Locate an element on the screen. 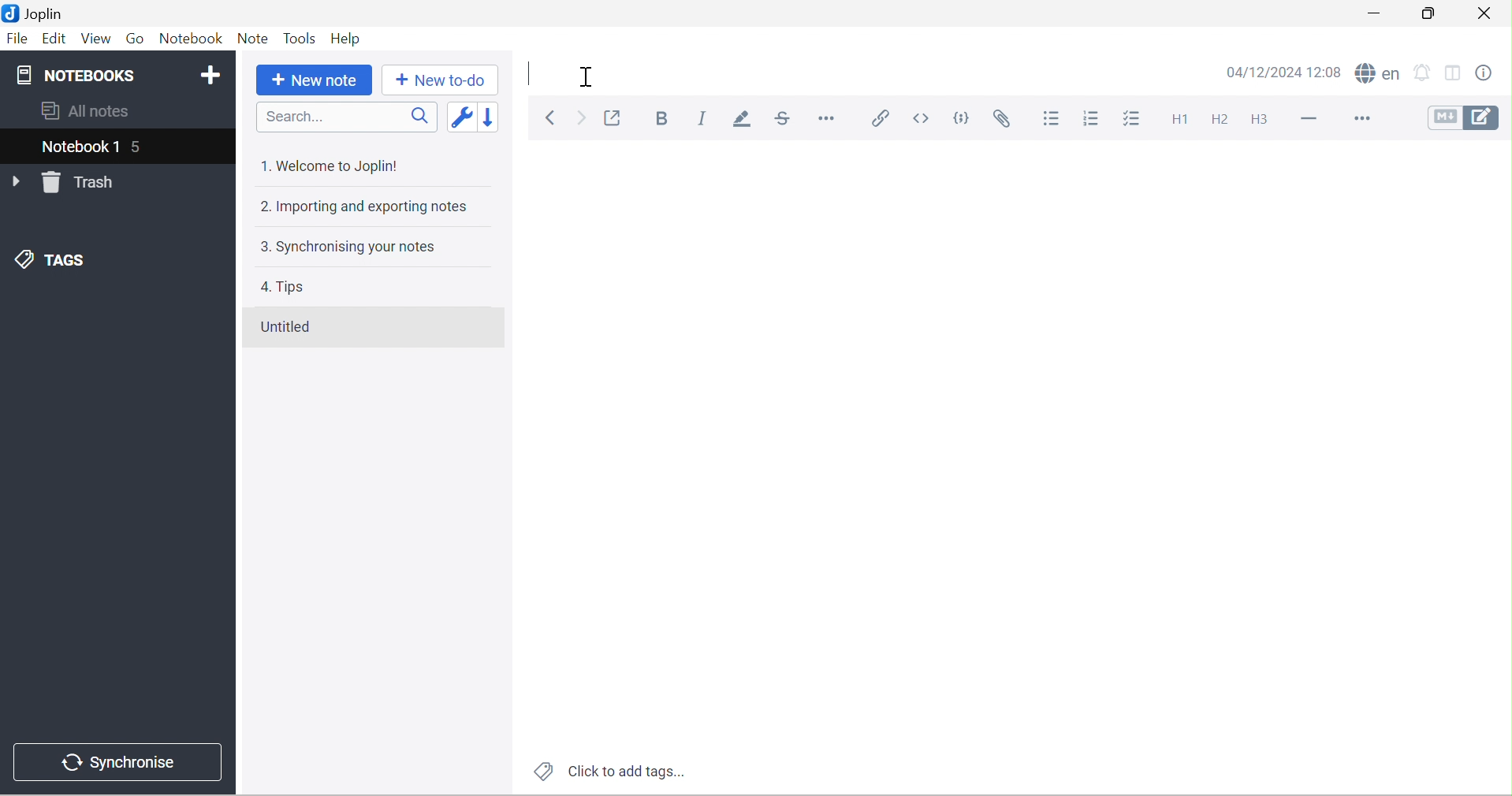 This screenshot has width=1512, height=796. Note properties is located at coordinates (1494, 70).